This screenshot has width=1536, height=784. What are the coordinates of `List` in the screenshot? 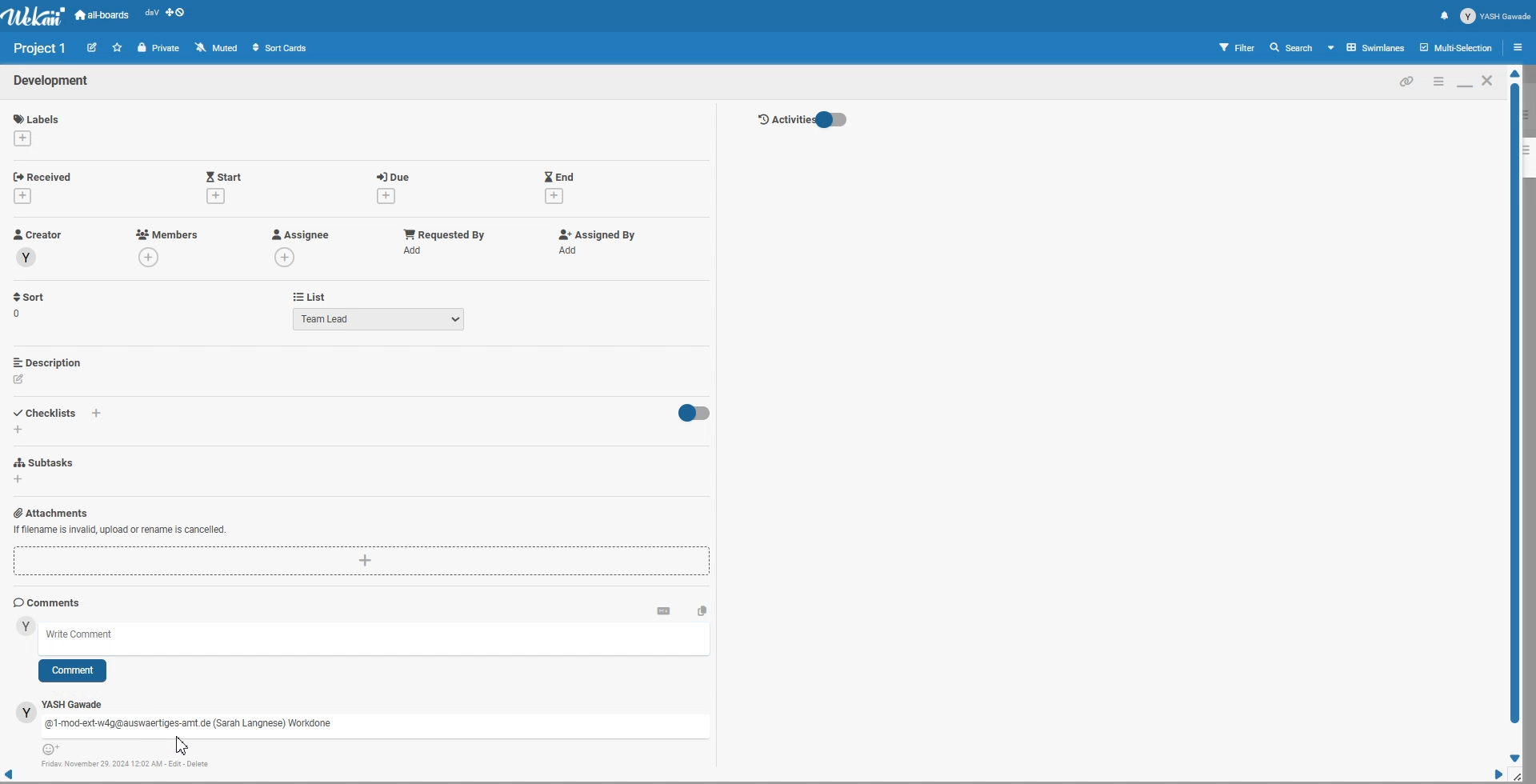 It's located at (309, 296).